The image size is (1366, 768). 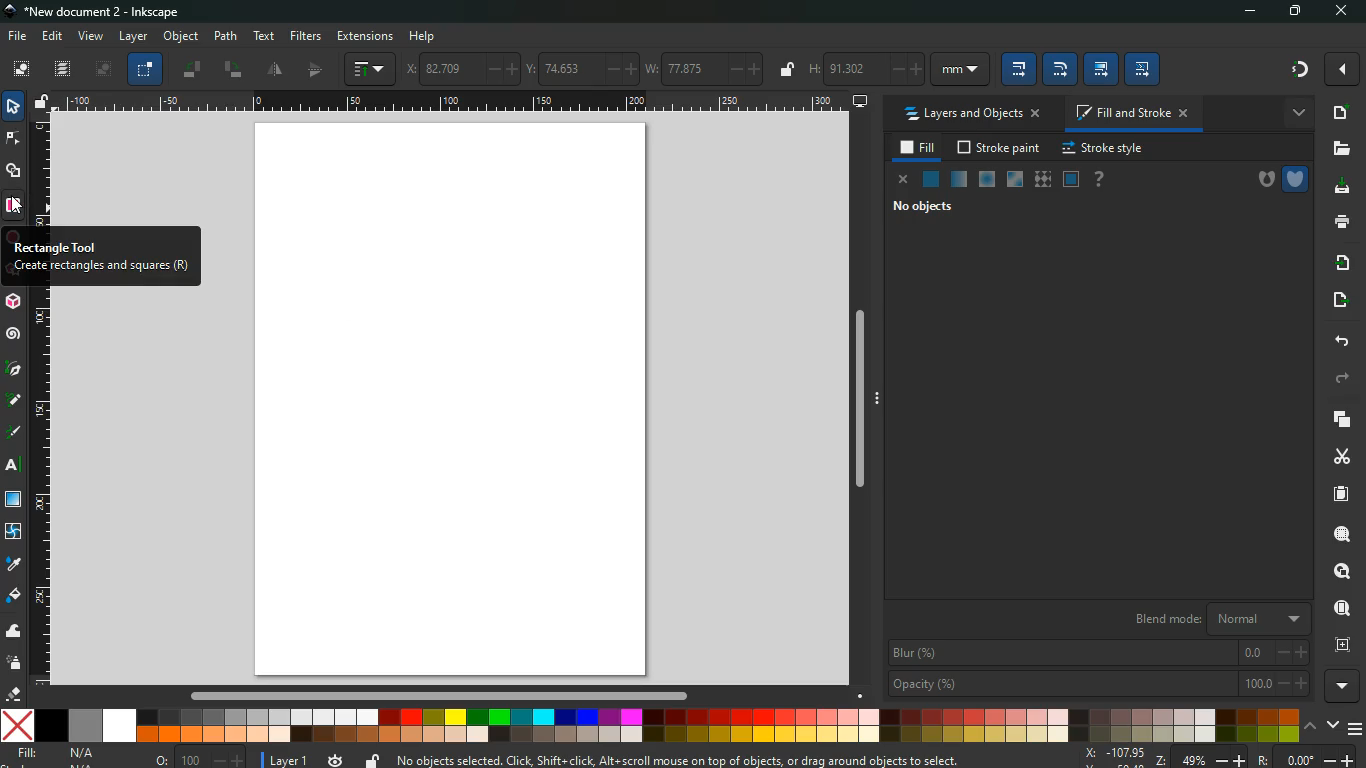 What do you see at coordinates (580, 70) in the screenshot?
I see `y` at bounding box center [580, 70].